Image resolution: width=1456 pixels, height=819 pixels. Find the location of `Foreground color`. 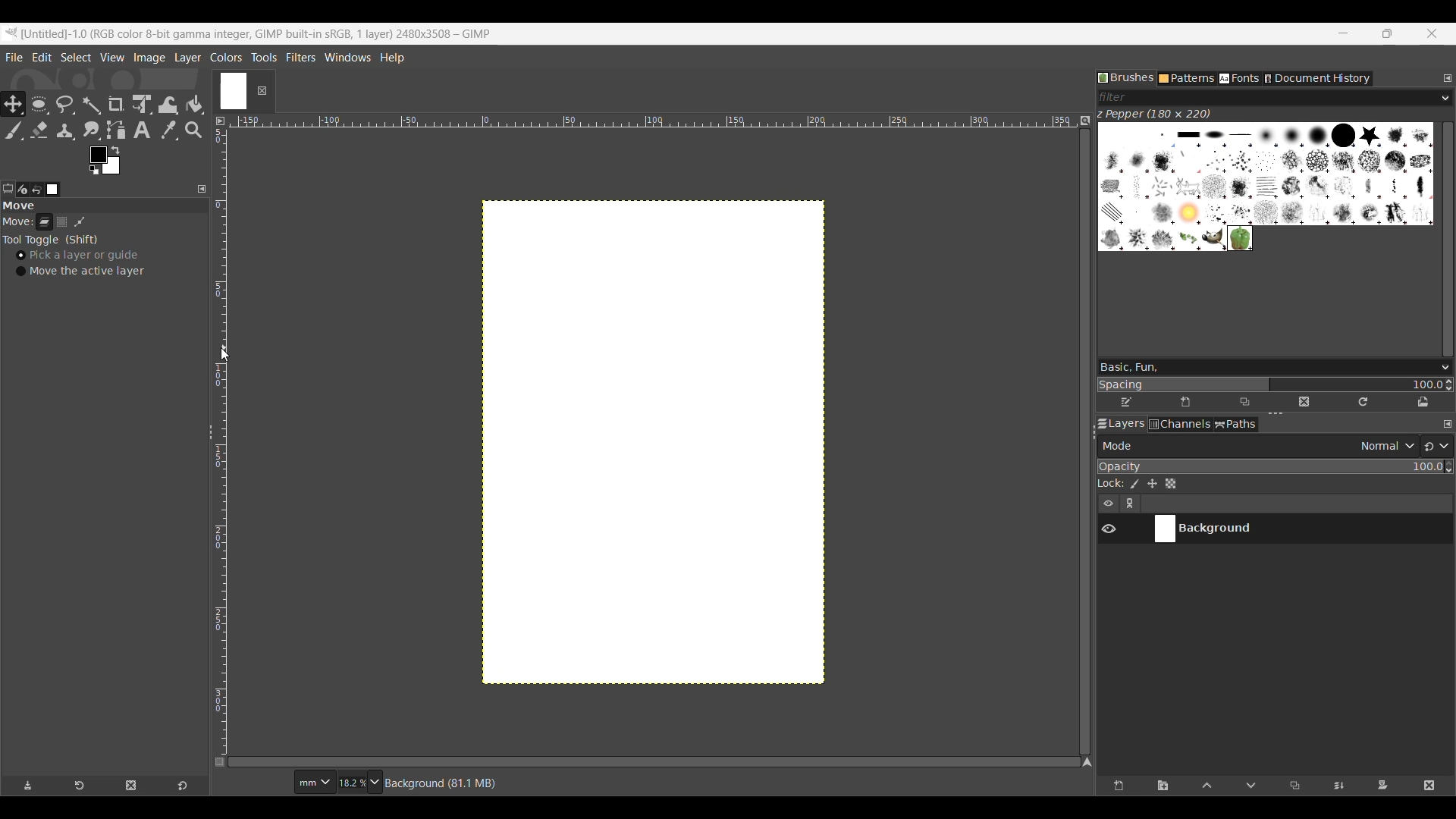

Foreground color is located at coordinates (104, 160).